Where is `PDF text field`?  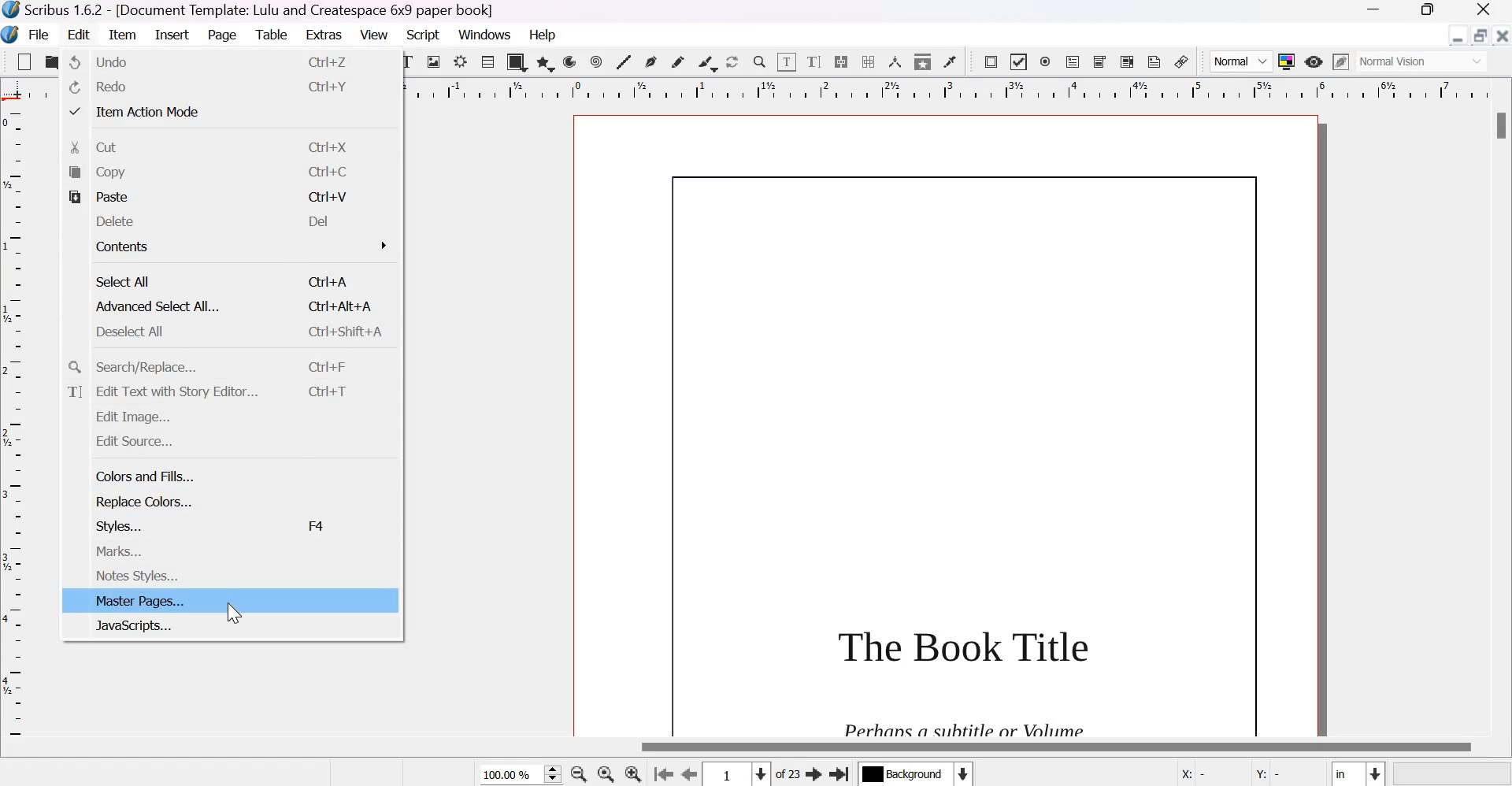
PDF text field is located at coordinates (1073, 61).